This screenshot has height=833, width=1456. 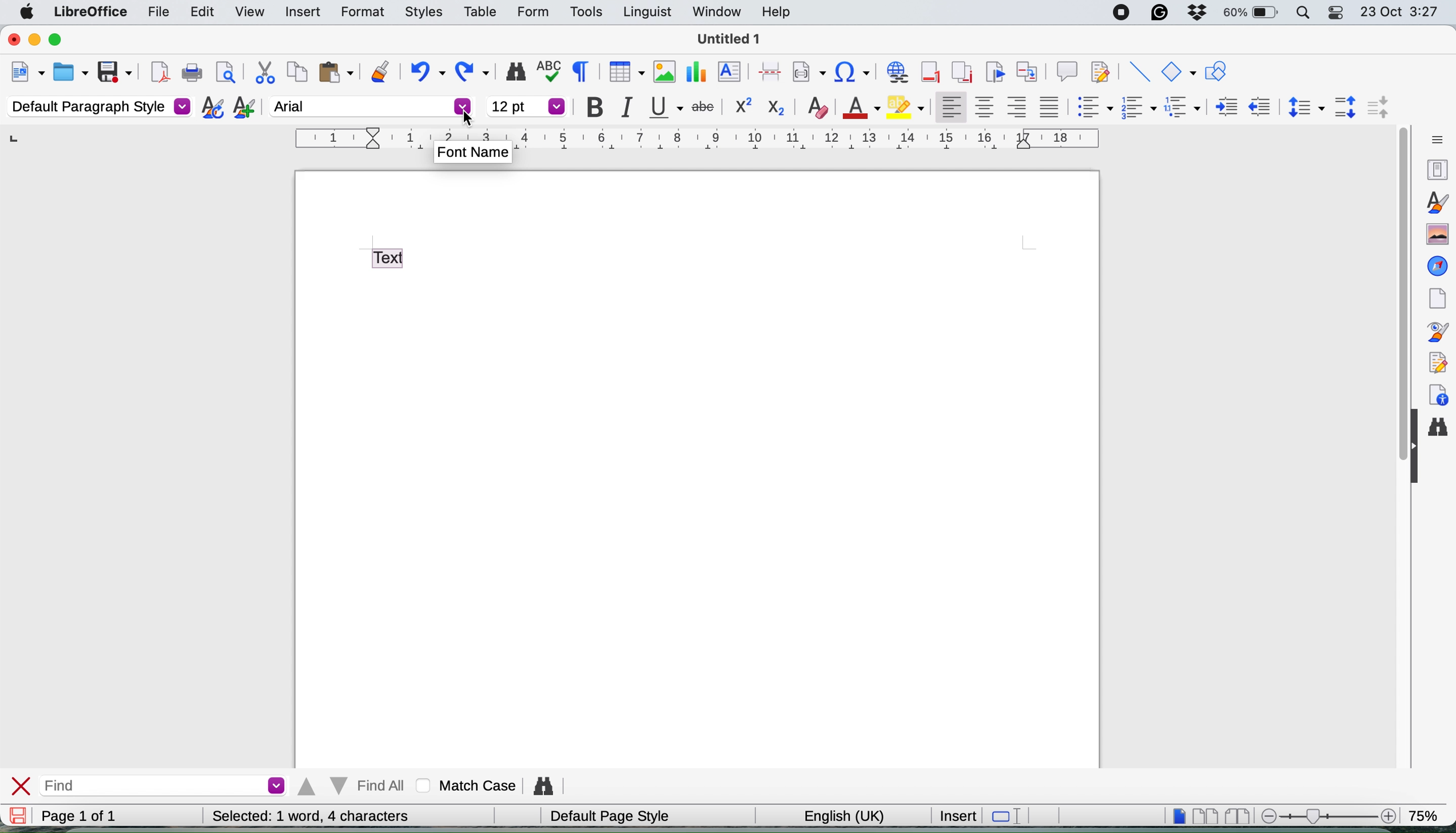 What do you see at coordinates (1380, 108) in the screenshot?
I see `decrease paragraph spacing` at bounding box center [1380, 108].